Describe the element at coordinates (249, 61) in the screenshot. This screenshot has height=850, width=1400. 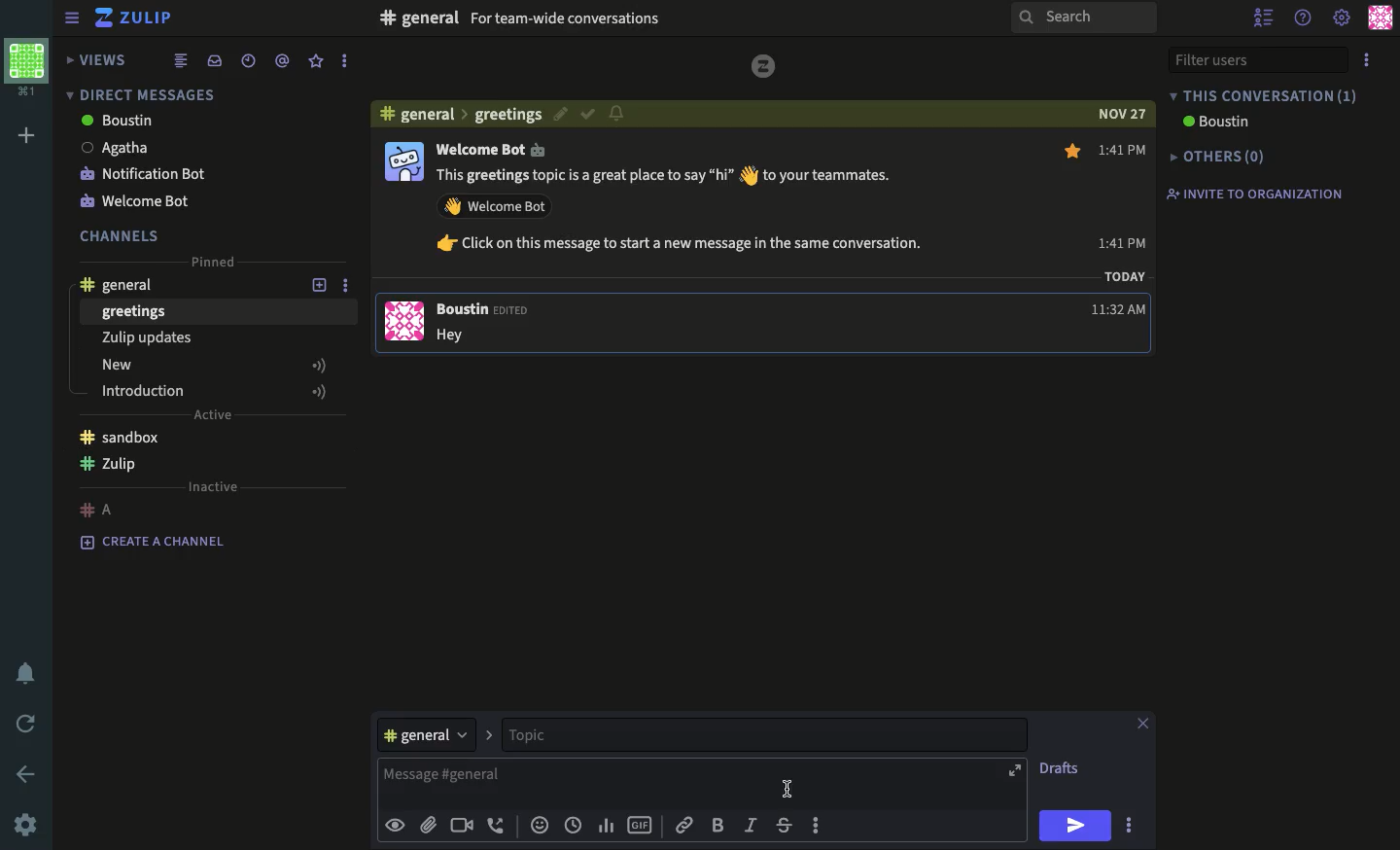
I see `recent conversations` at that location.